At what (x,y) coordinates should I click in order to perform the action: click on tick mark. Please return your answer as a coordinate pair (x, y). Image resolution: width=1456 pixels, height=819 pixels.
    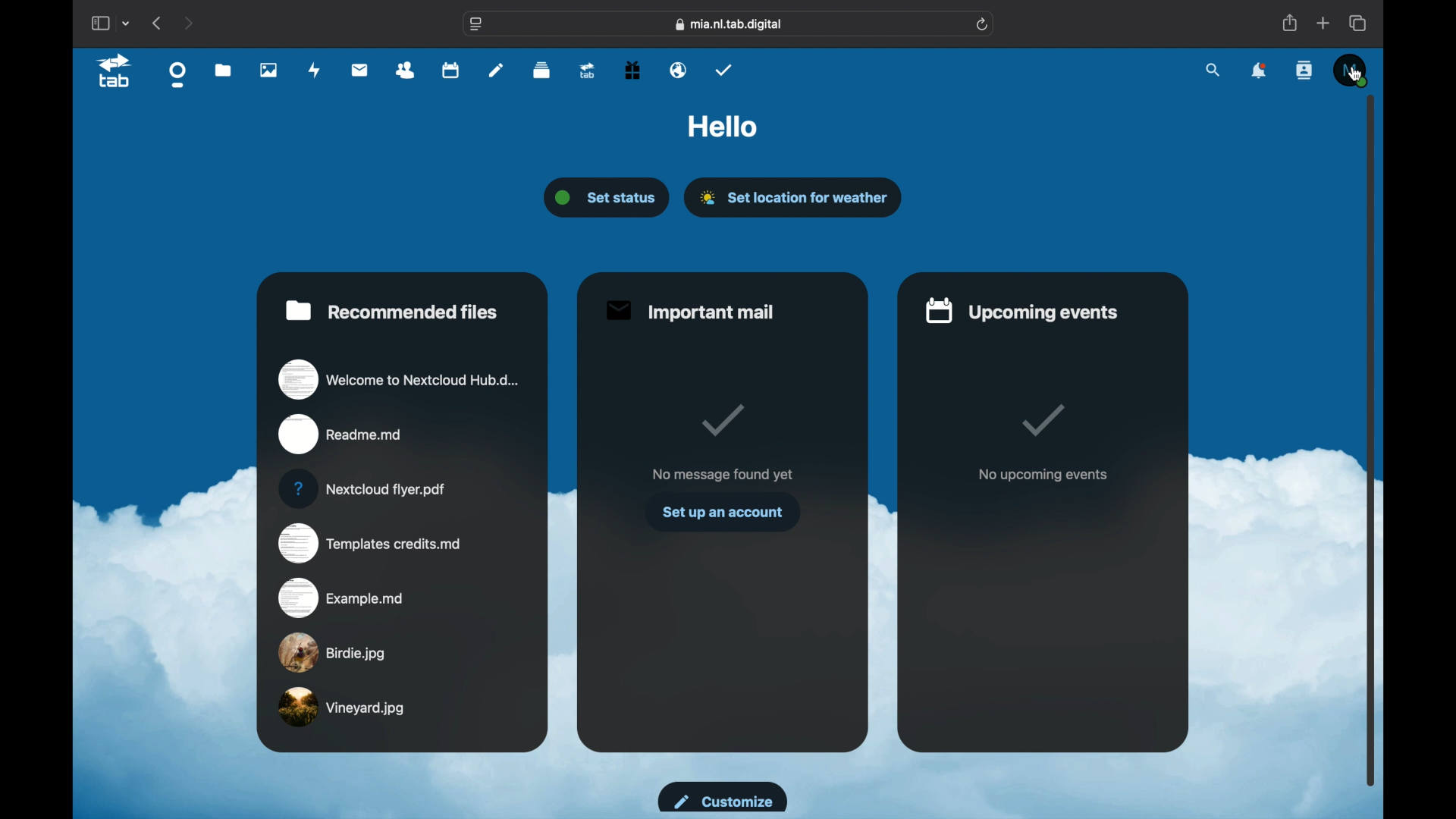
    Looking at the image, I should click on (720, 420).